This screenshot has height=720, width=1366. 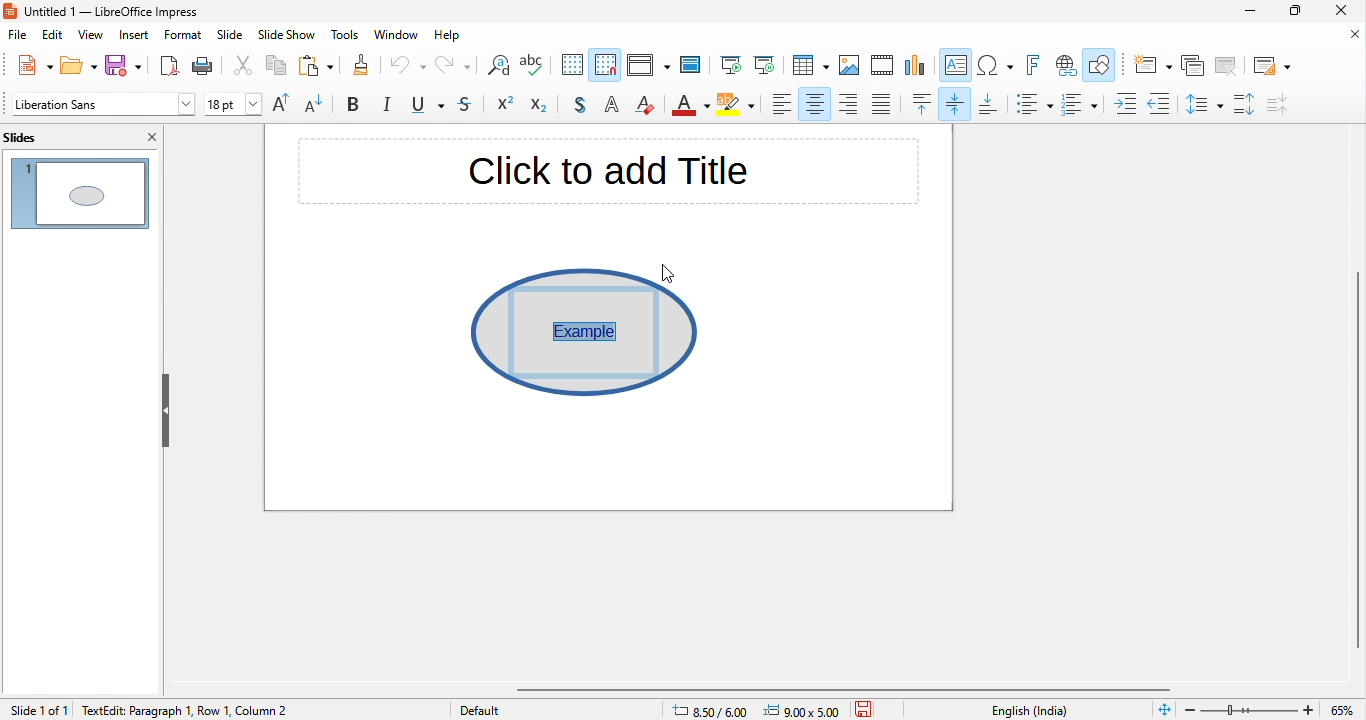 I want to click on , so click(x=577, y=330).